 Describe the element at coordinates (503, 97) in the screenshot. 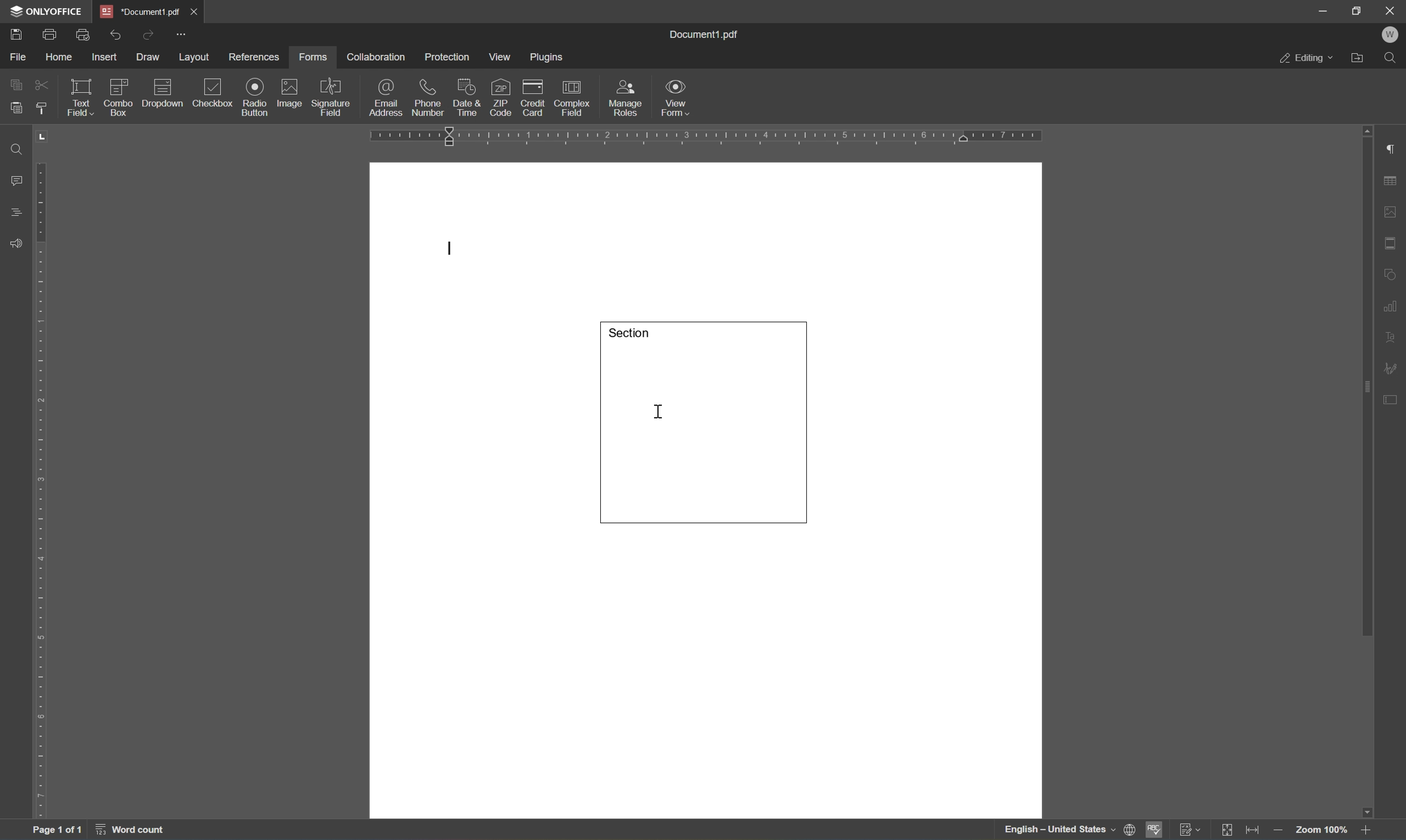

I see `zip code` at that location.